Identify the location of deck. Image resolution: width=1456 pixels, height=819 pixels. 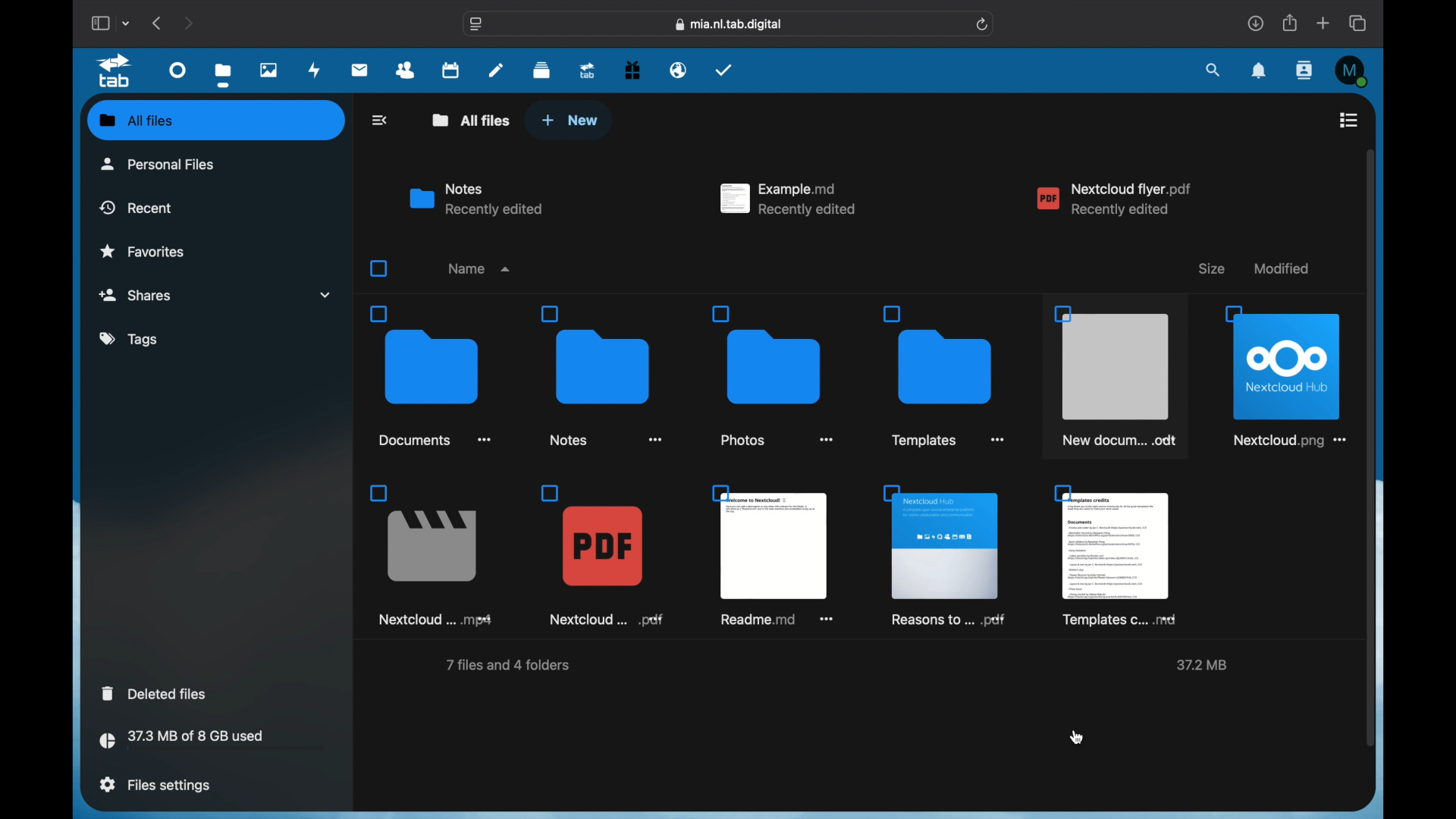
(541, 71).